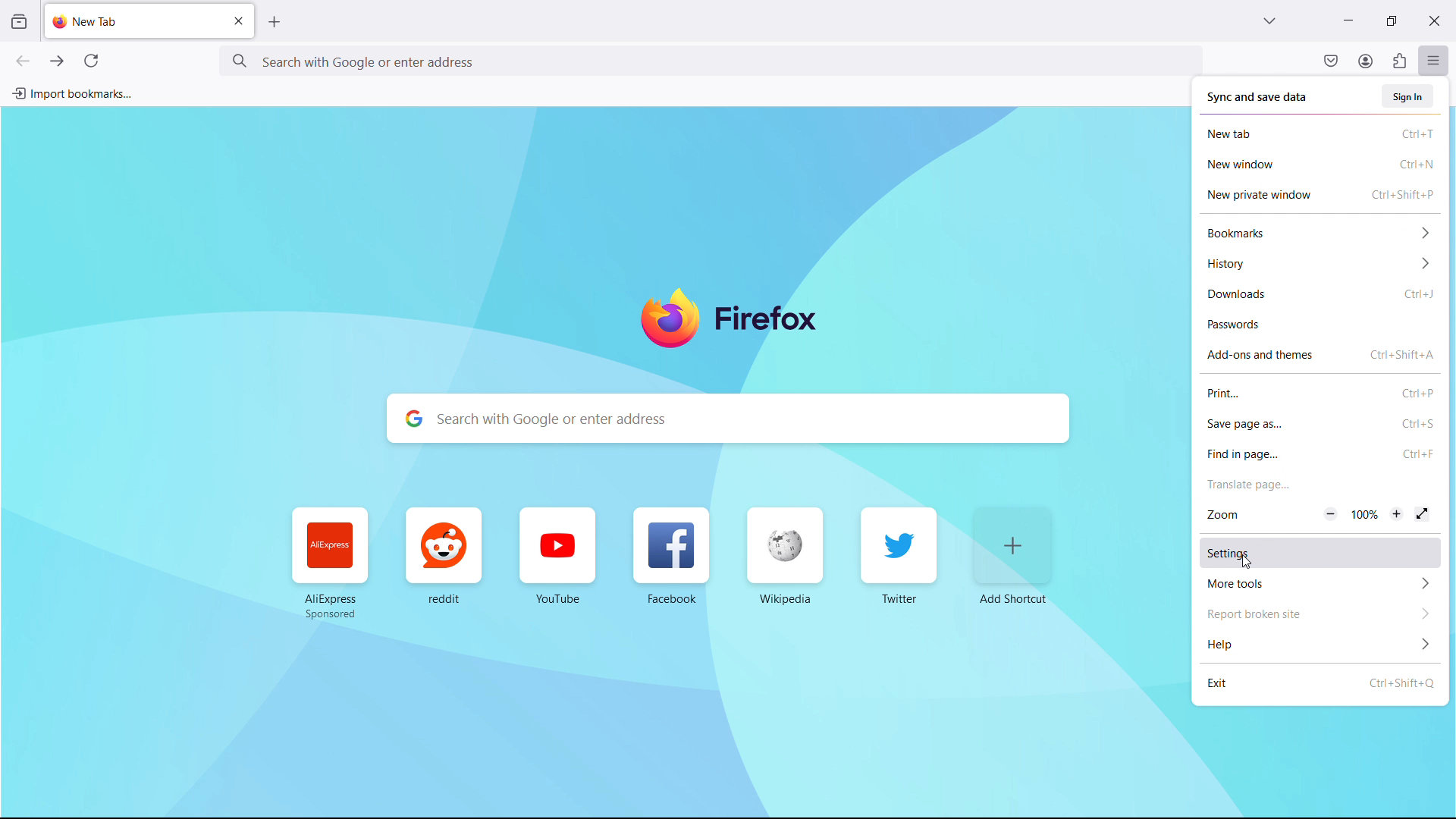 The height and width of the screenshot is (819, 1456). I want to click on report broken site, so click(1319, 613).